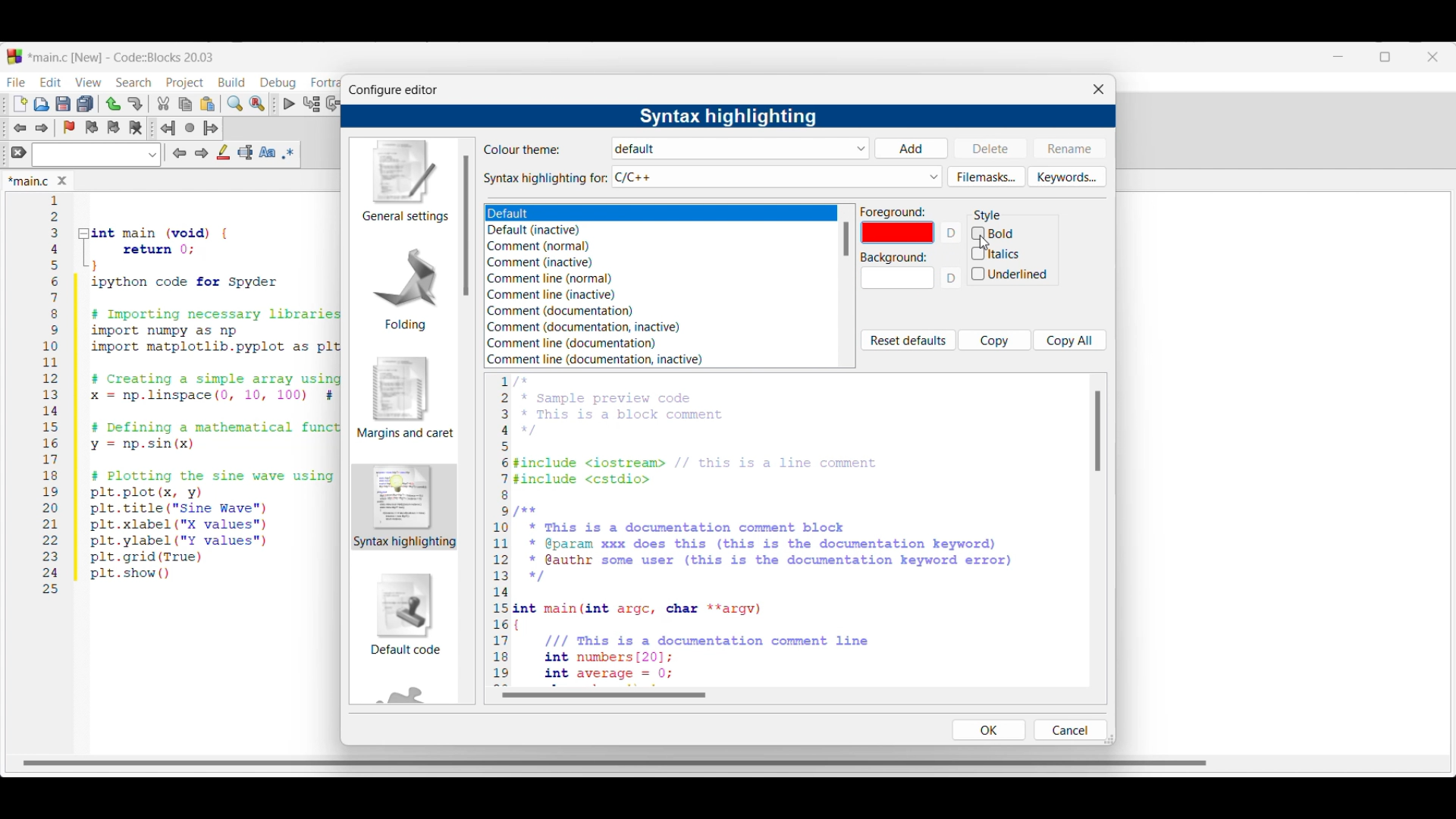 Image resolution: width=1456 pixels, height=819 pixels. What do you see at coordinates (42, 104) in the screenshot?
I see `Open` at bounding box center [42, 104].